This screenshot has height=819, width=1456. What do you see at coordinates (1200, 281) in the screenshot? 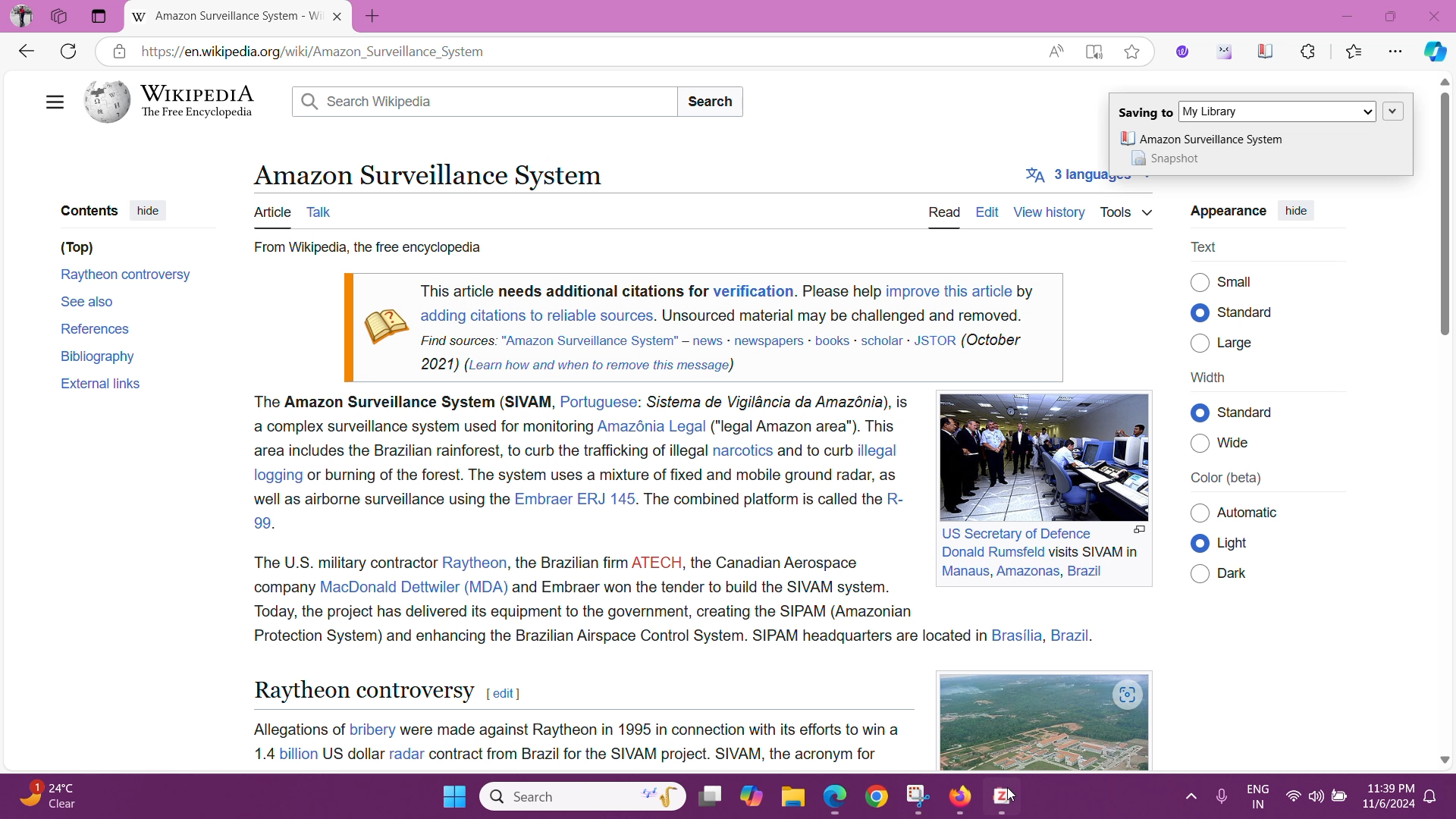
I see `Unselected` at bounding box center [1200, 281].